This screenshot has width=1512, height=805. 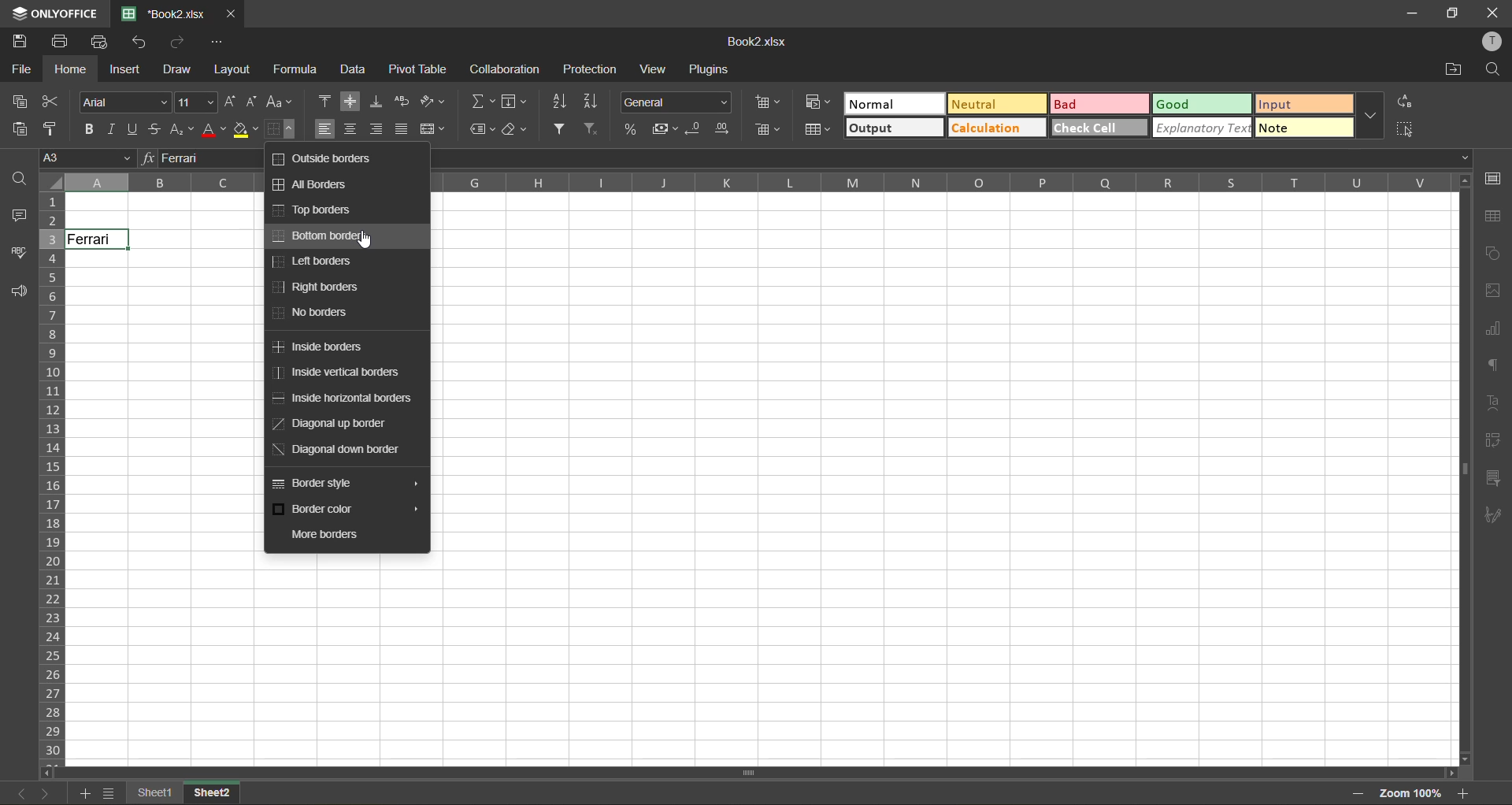 I want to click on inside vertical borders, so click(x=342, y=373).